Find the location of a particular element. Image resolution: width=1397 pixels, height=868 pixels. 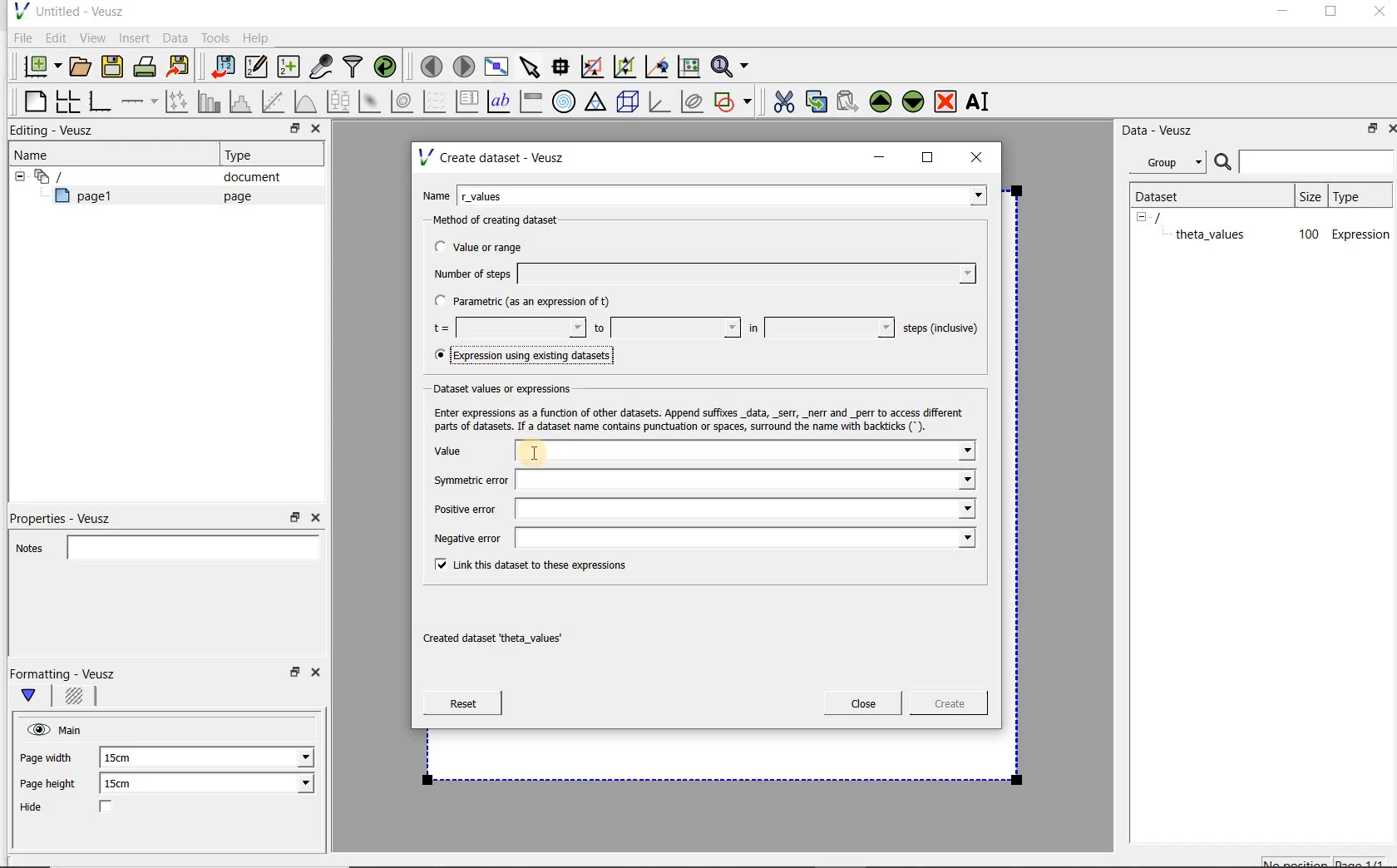

Formatting - Veusz is located at coordinates (65, 673).